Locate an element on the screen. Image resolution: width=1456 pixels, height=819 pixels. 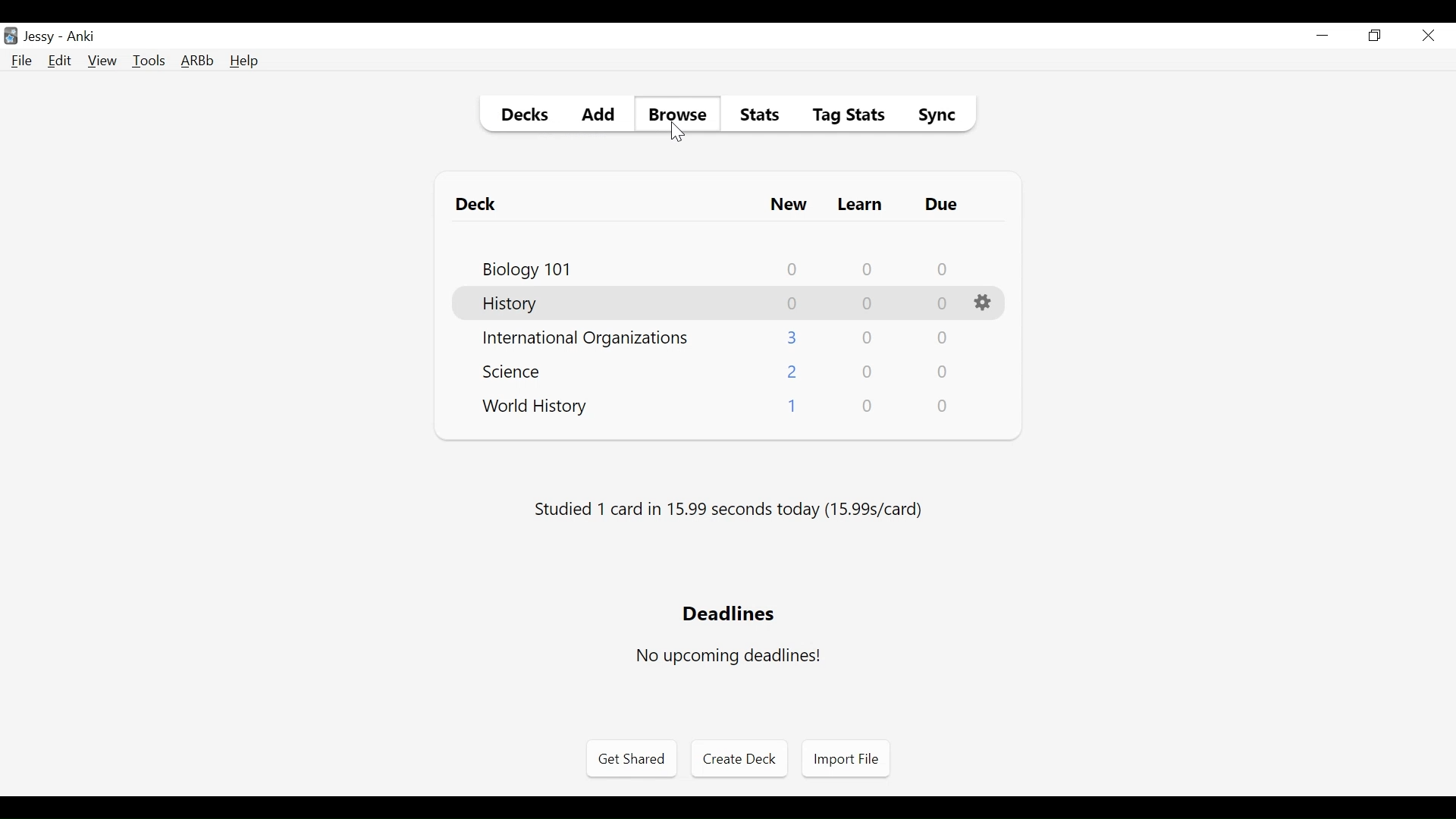
Tag Stats is located at coordinates (849, 115).